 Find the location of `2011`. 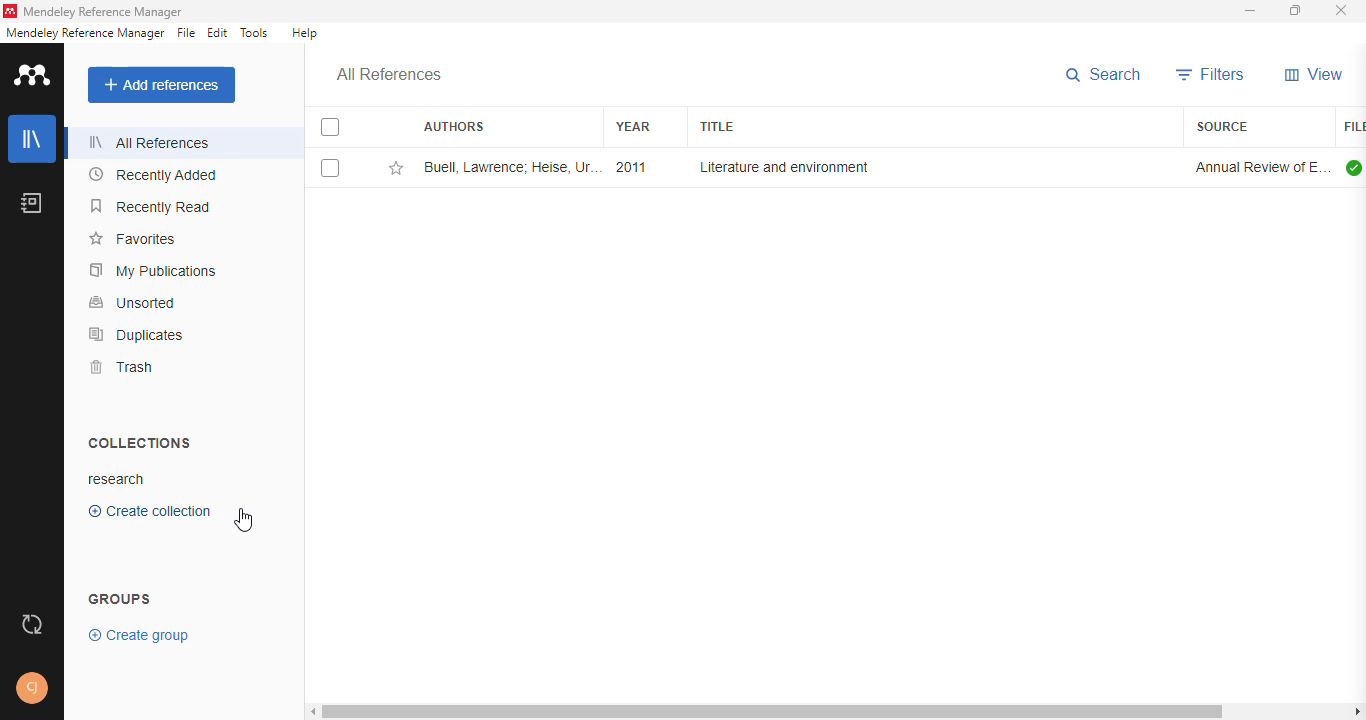

2011 is located at coordinates (630, 167).